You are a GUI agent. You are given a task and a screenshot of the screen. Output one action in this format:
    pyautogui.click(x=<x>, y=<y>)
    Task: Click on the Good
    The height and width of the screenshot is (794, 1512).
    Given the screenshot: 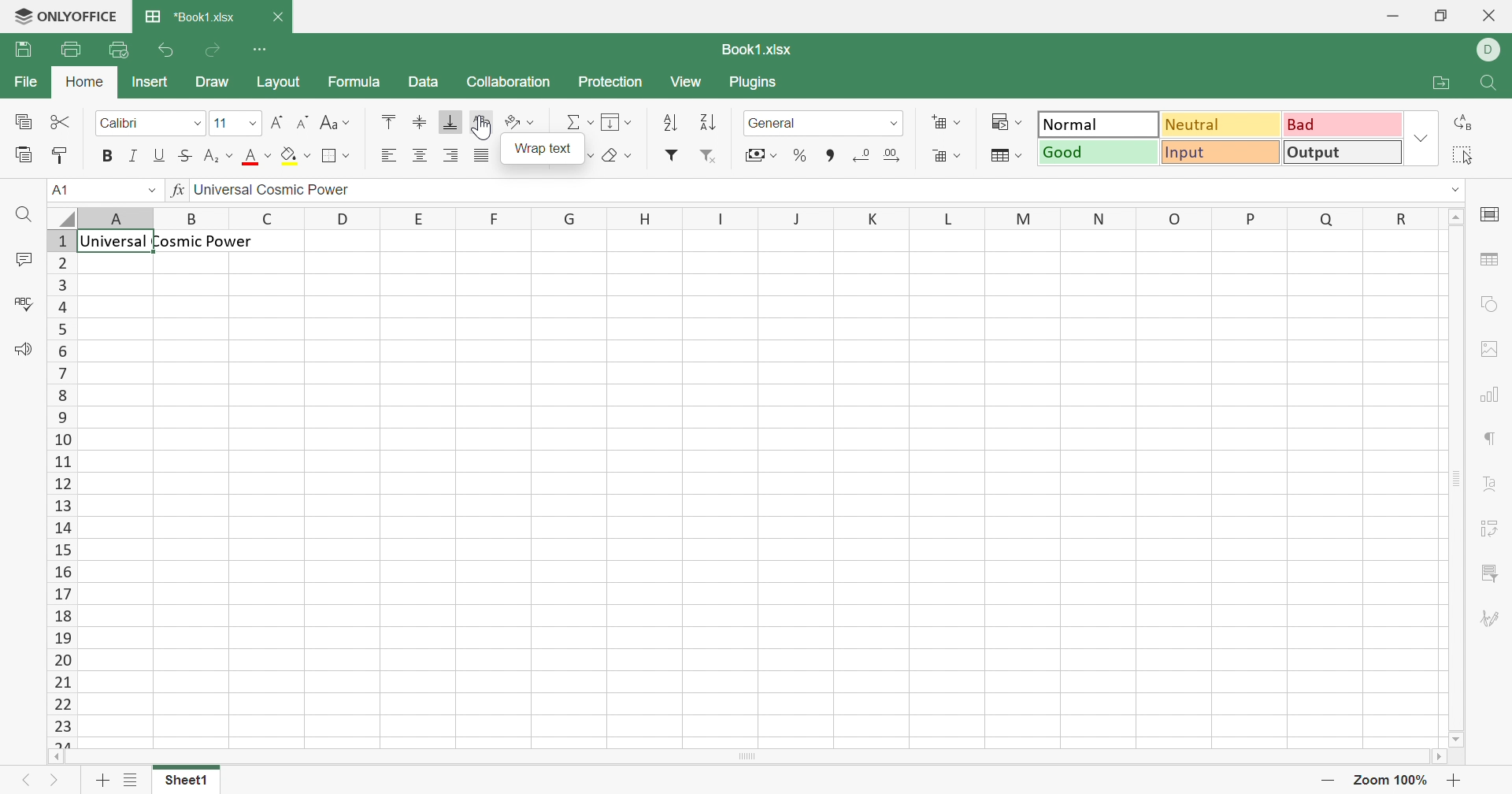 What is the action you would take?
    pyautogui.click(x=1099, y=152)
    